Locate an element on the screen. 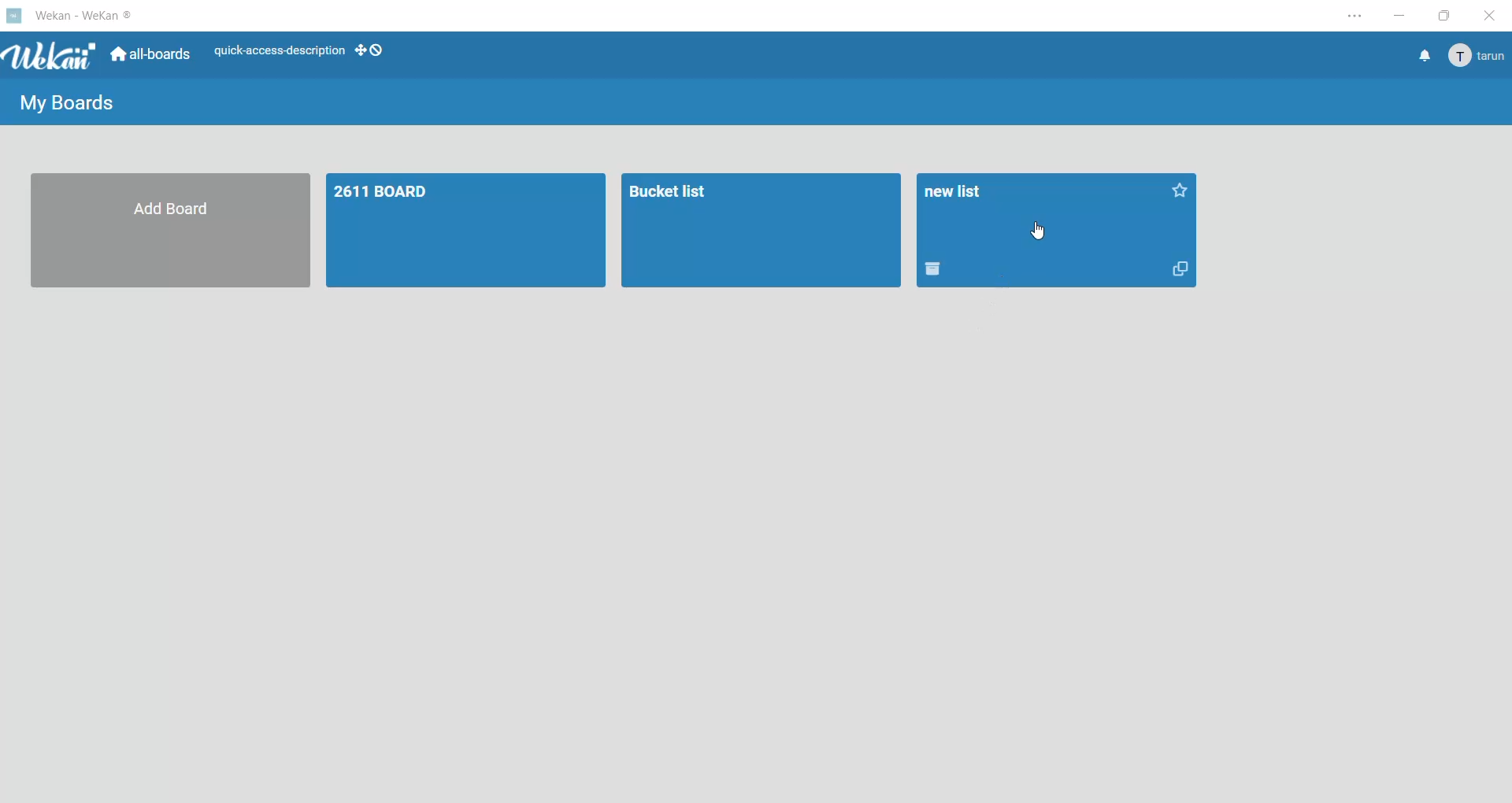 The image size is (1512, 803). add board is located at coordinates (166, 233).